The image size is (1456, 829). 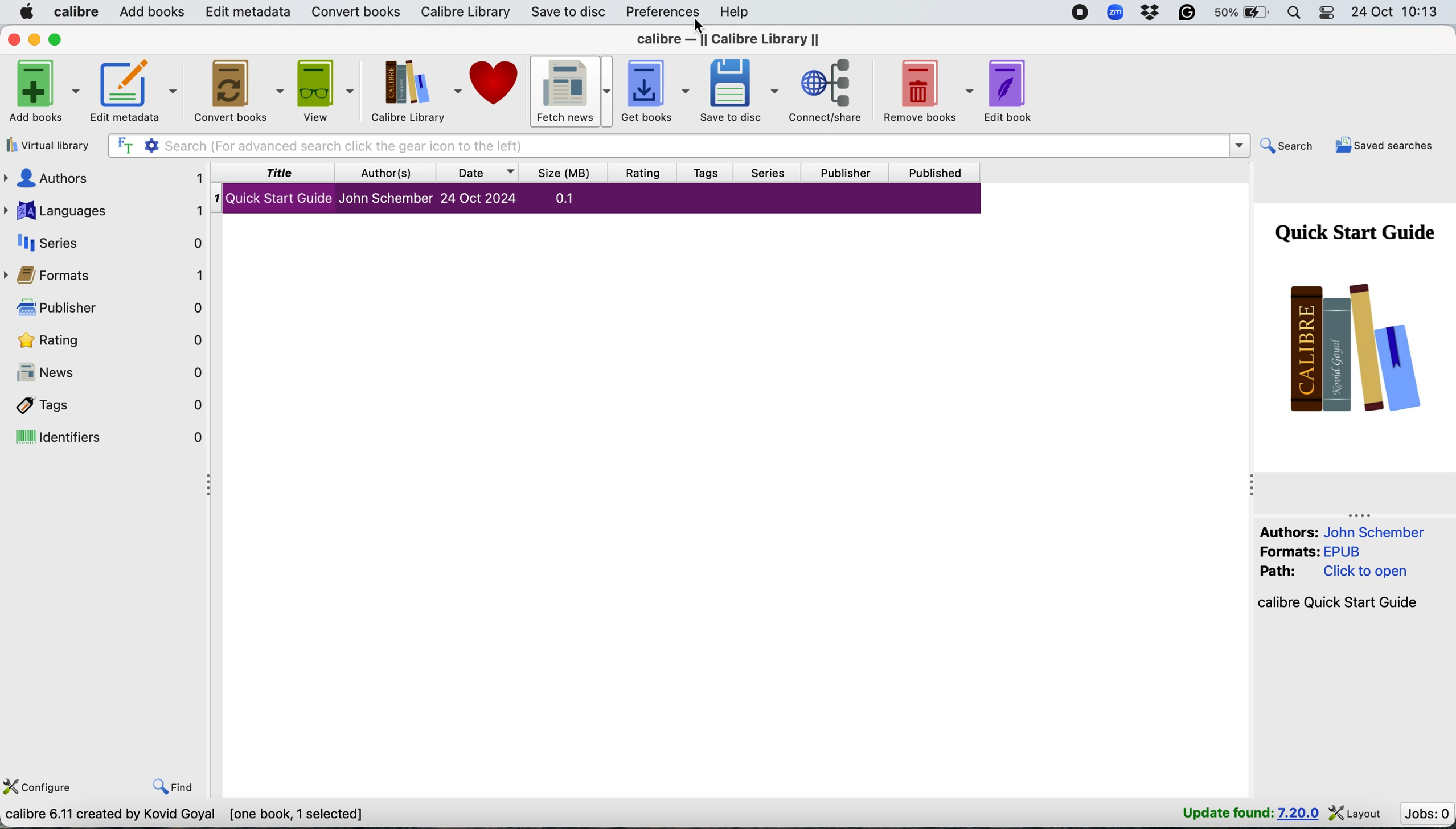 What do you see at coordinates (1078, 12) in the screenshot?
I see `screen recorder` at bounding box center [1078, 12].